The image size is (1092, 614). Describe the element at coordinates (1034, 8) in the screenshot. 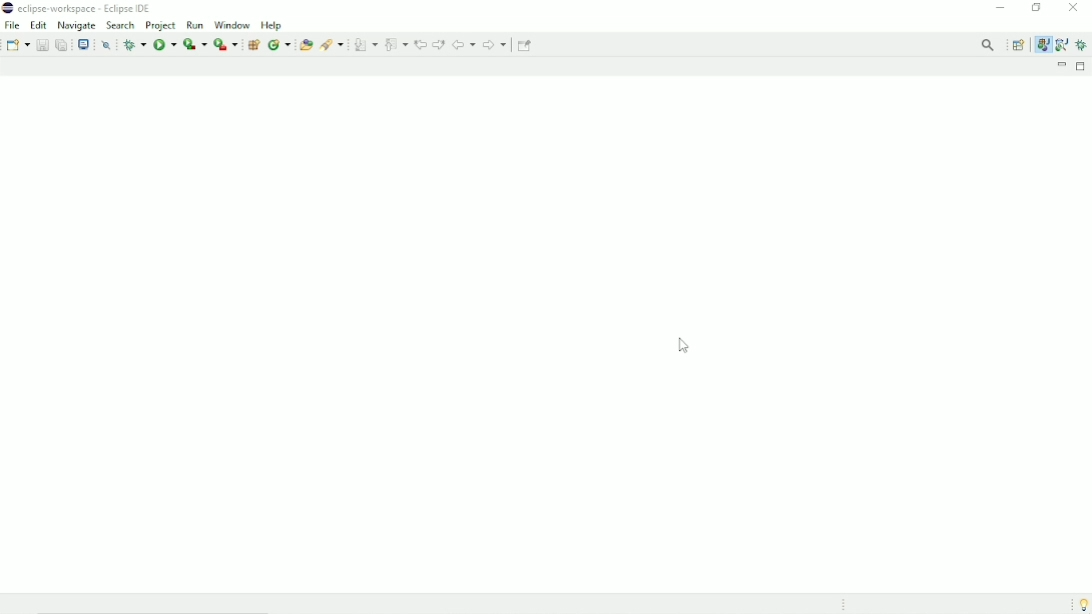

I see `Restore down` at that location.